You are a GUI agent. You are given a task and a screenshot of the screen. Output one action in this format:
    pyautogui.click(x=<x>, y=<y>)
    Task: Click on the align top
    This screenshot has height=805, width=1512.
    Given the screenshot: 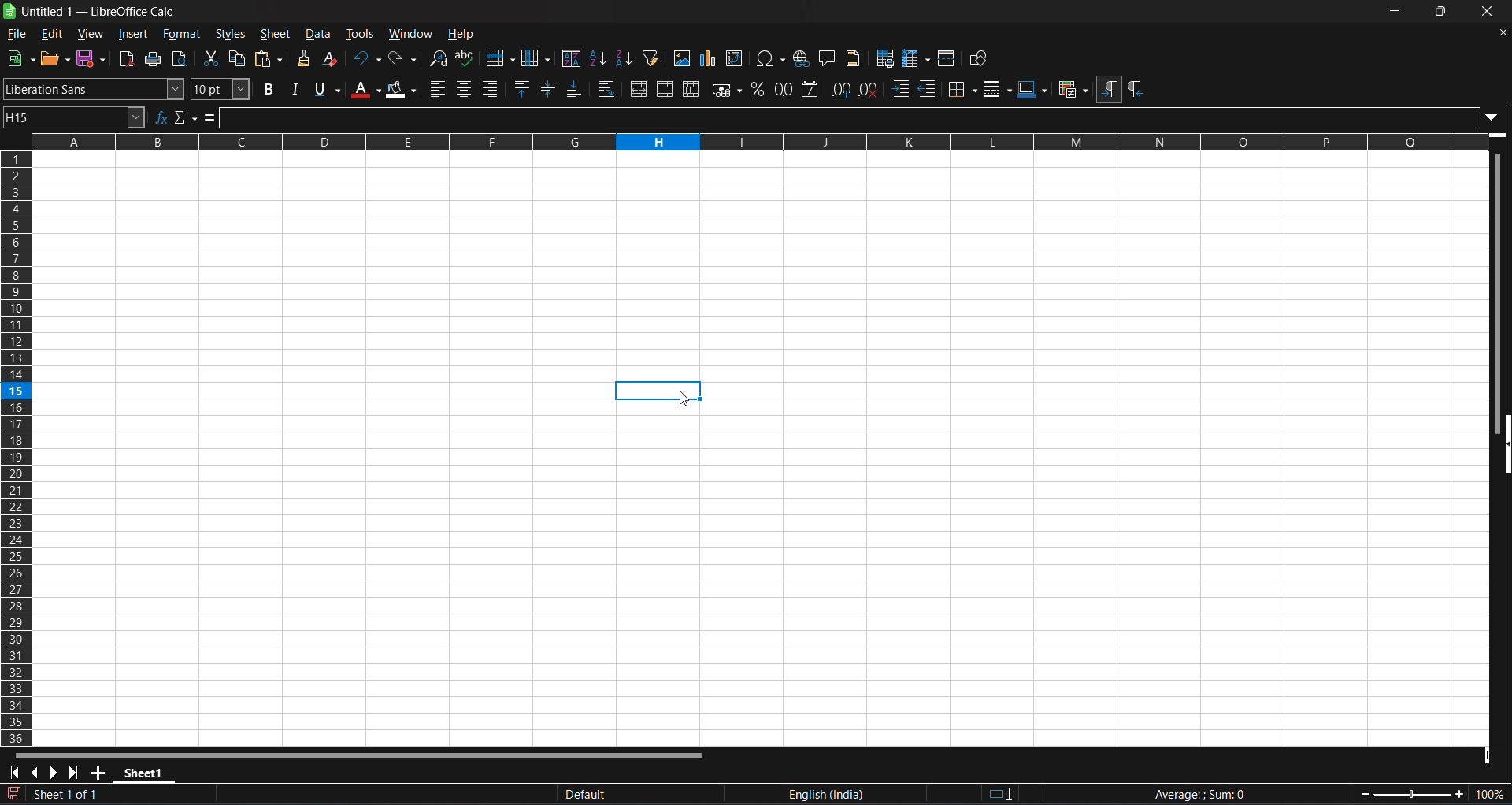 What is the action you would take?
    pyautogui.click(x=521, y=87)
    